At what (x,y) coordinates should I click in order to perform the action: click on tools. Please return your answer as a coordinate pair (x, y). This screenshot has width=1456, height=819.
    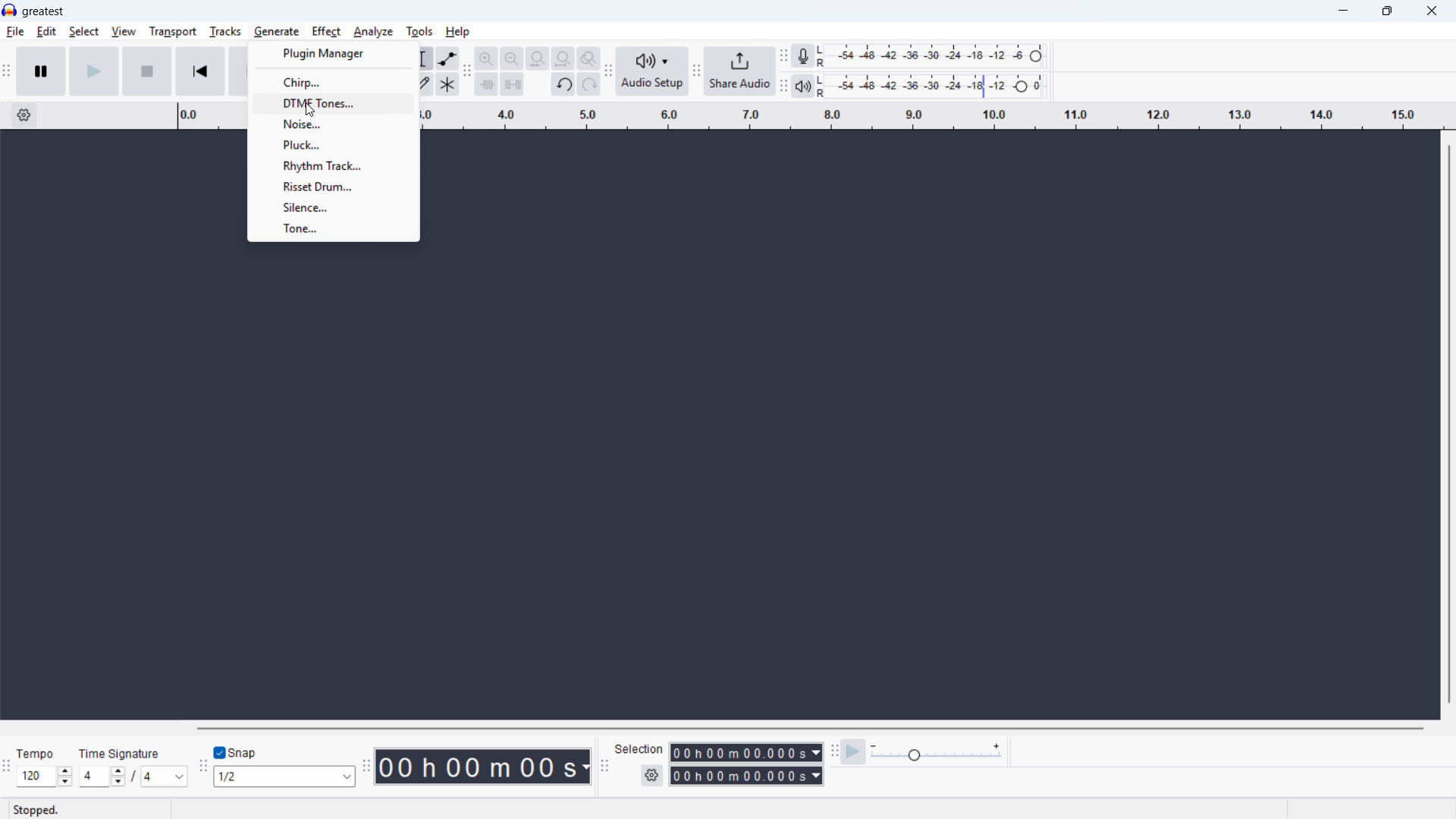
    Looking at the image, I should click on (419, 32).